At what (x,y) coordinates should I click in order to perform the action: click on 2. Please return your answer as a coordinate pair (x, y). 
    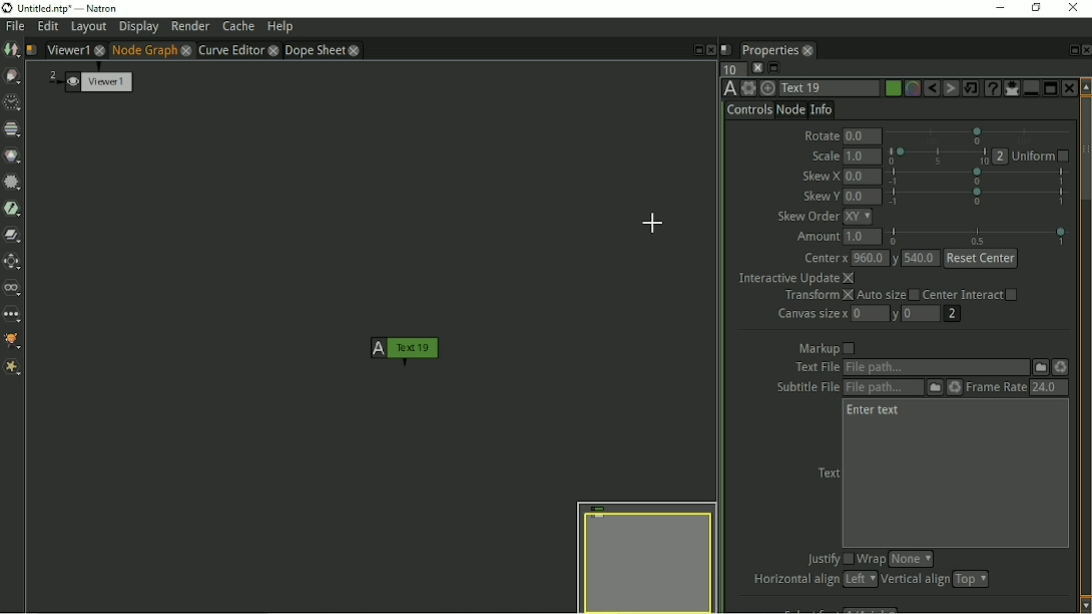
    Looking at the image, I should click on (1001, 155).